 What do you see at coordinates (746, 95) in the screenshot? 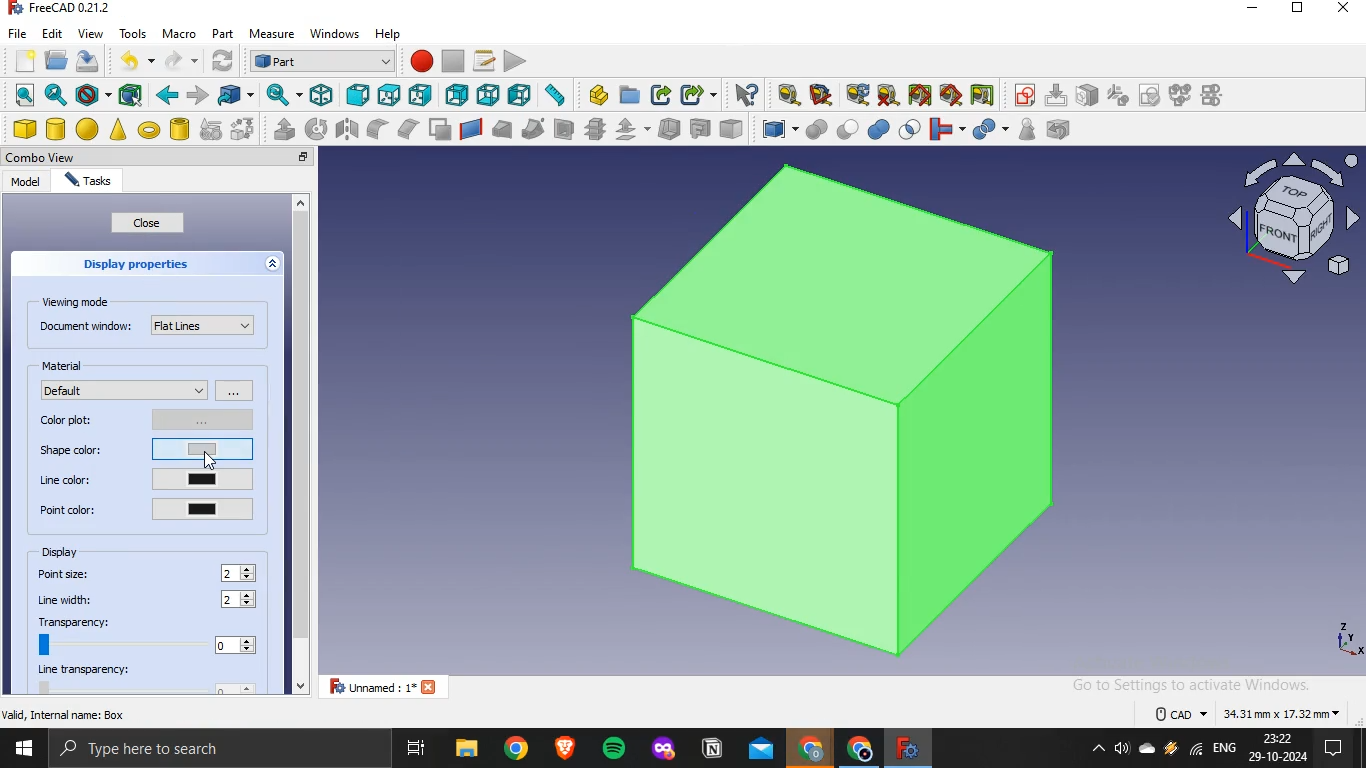
I see `what's this` at bounding box center [746, 95].